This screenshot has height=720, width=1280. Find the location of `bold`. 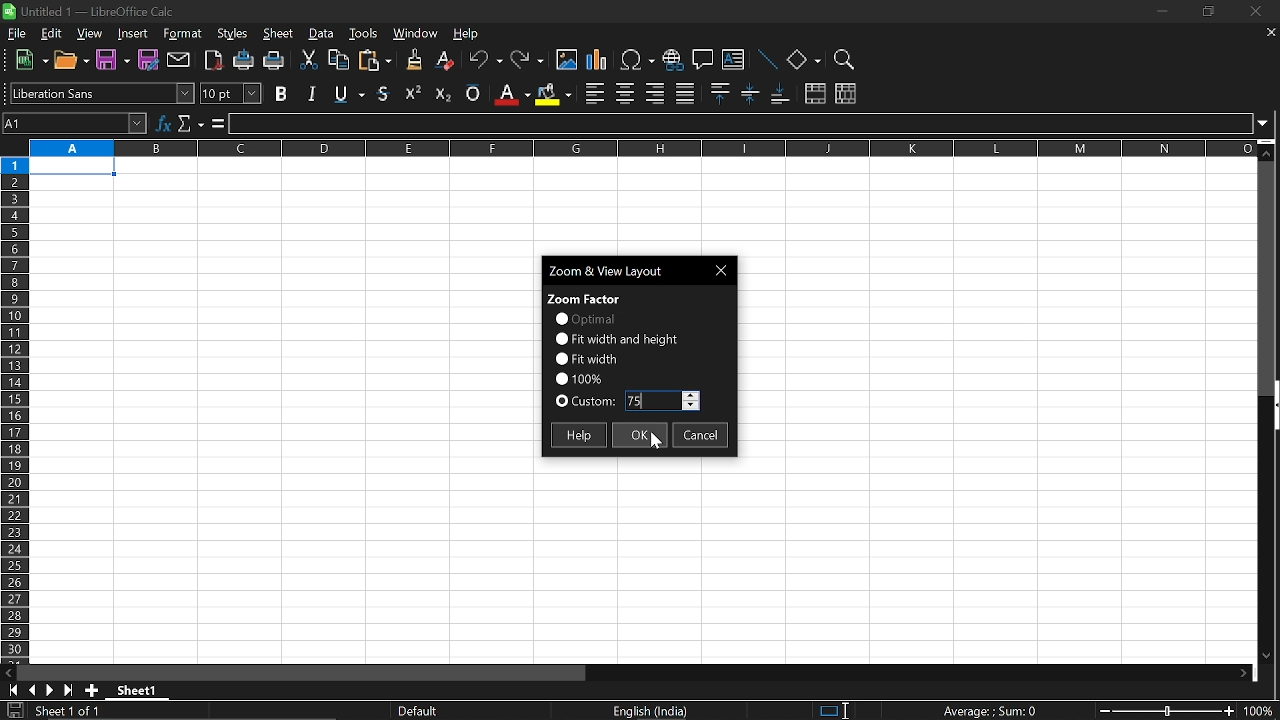

bold is located at coordinates (283, 93).